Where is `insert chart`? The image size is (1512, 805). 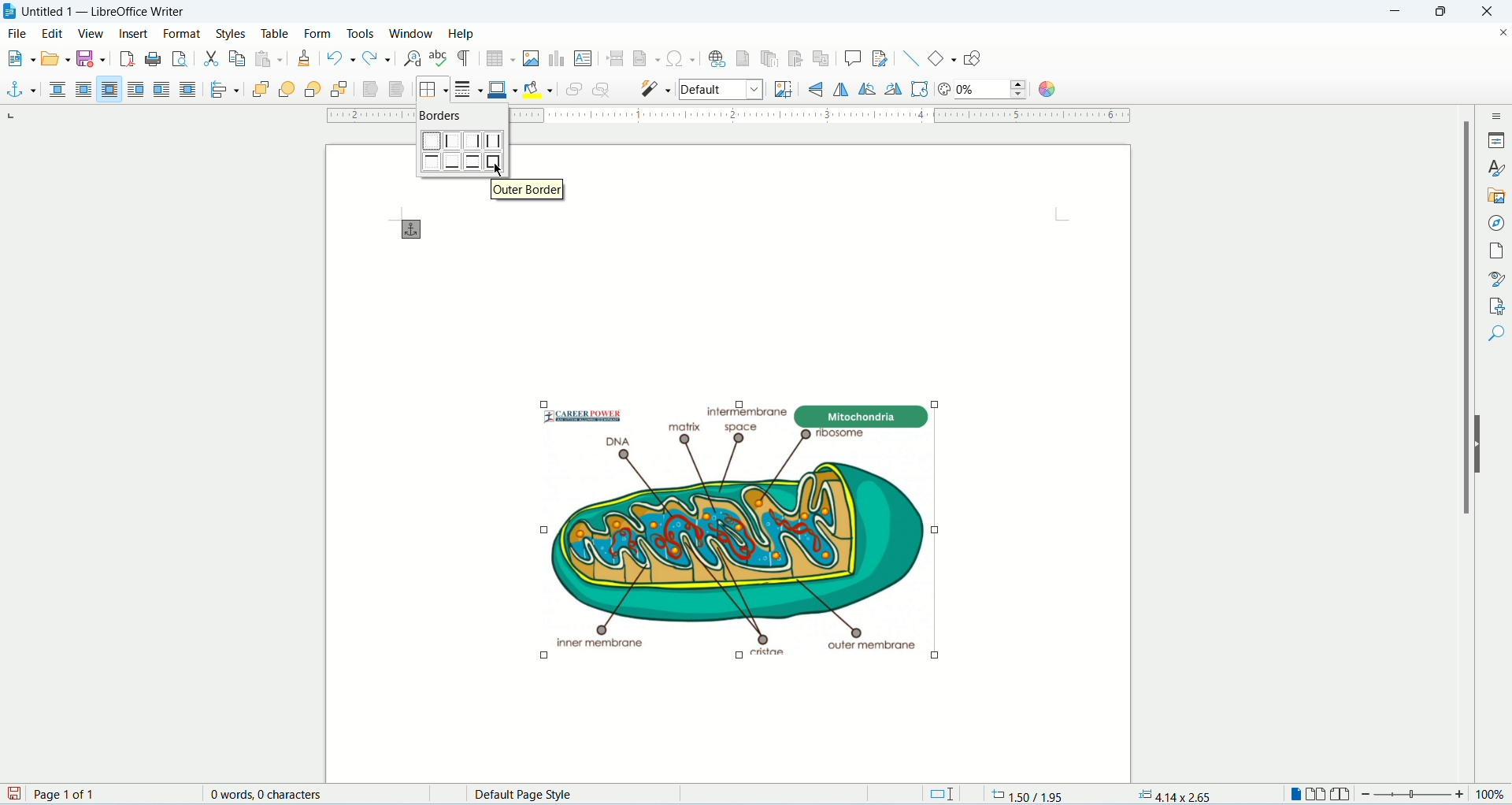
insert chart is located at coordinates (556, 59).